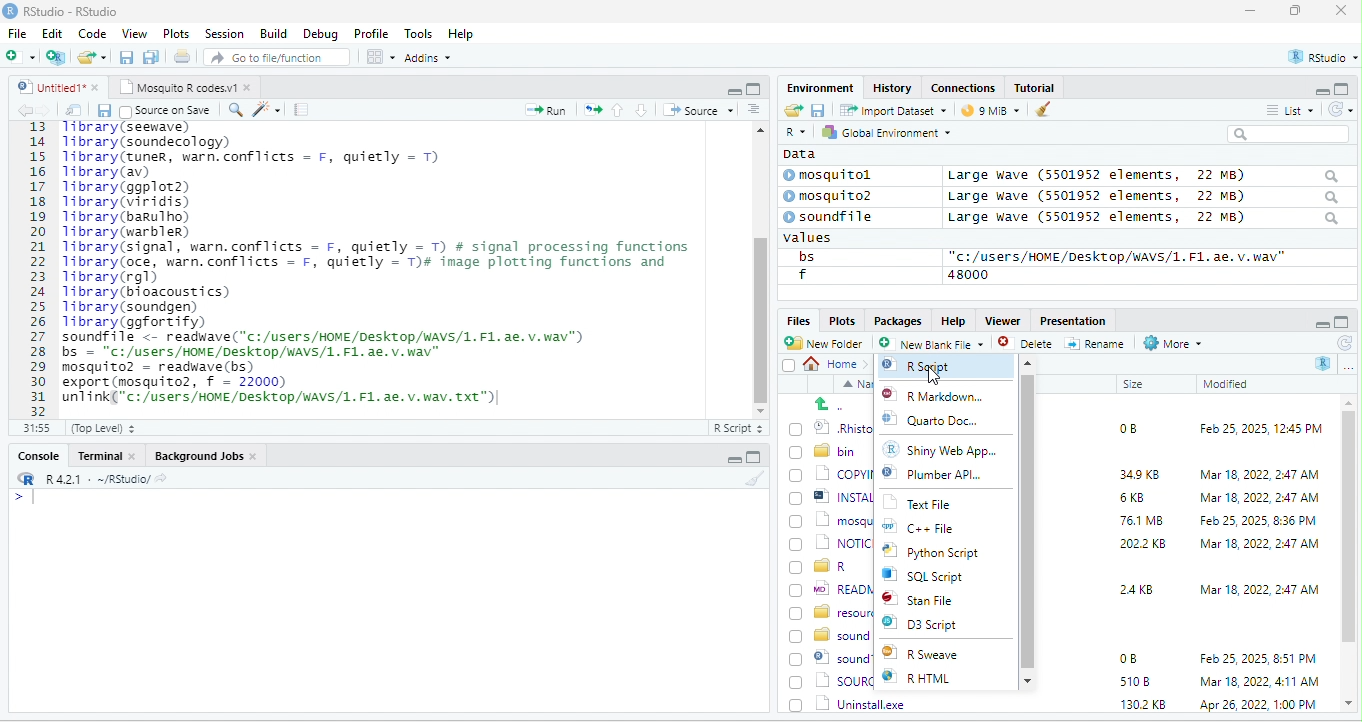 This screenshot has height=722, width=1362. What do you see at coordinates (1259, 659) in the screenshot?
I see `Feb 25, 2025, 8:51 PM` at bounding box center [1259, 659].